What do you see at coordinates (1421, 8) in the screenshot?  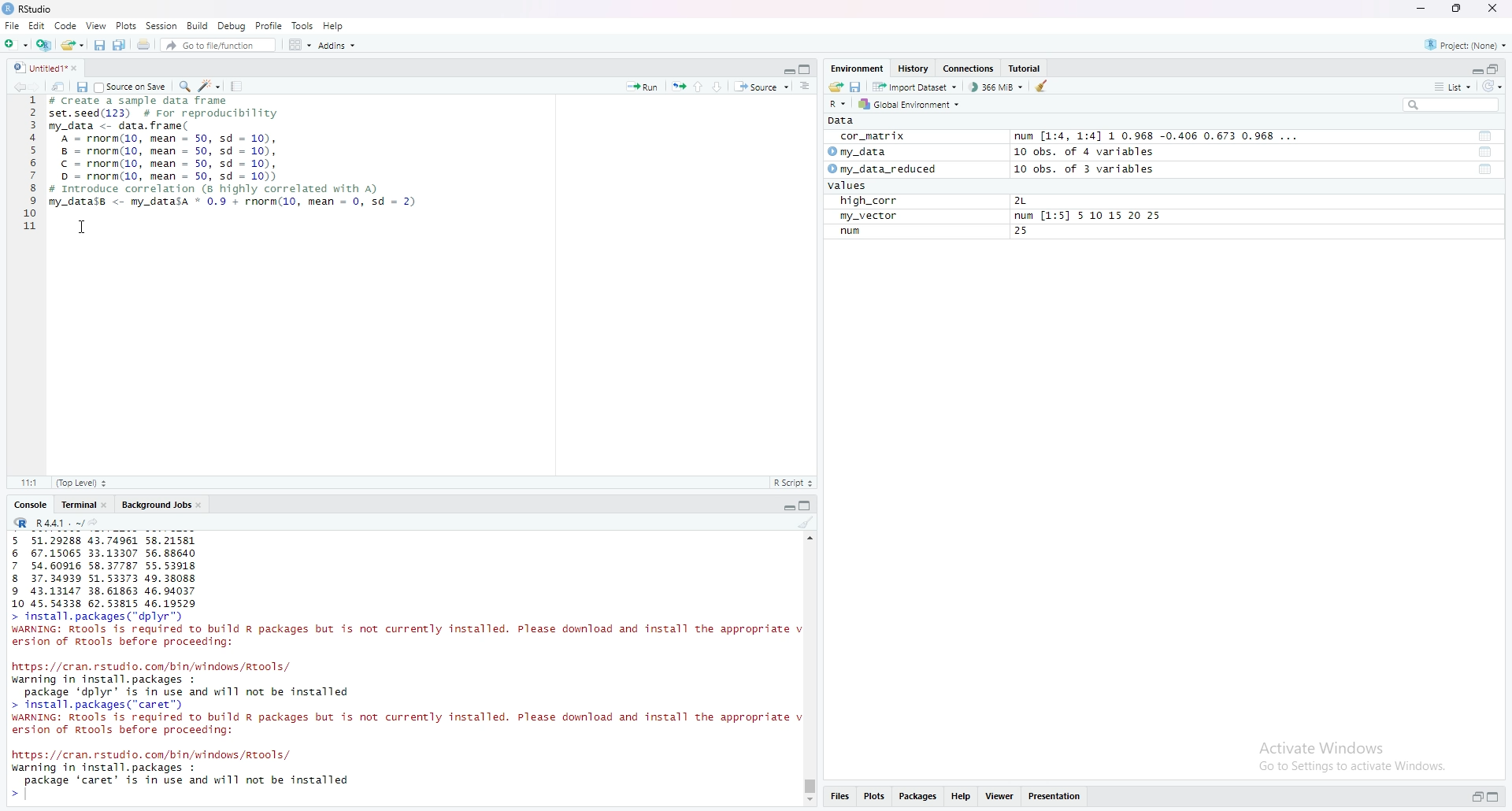 I see `minimise` at bounding box center [1421, 8].